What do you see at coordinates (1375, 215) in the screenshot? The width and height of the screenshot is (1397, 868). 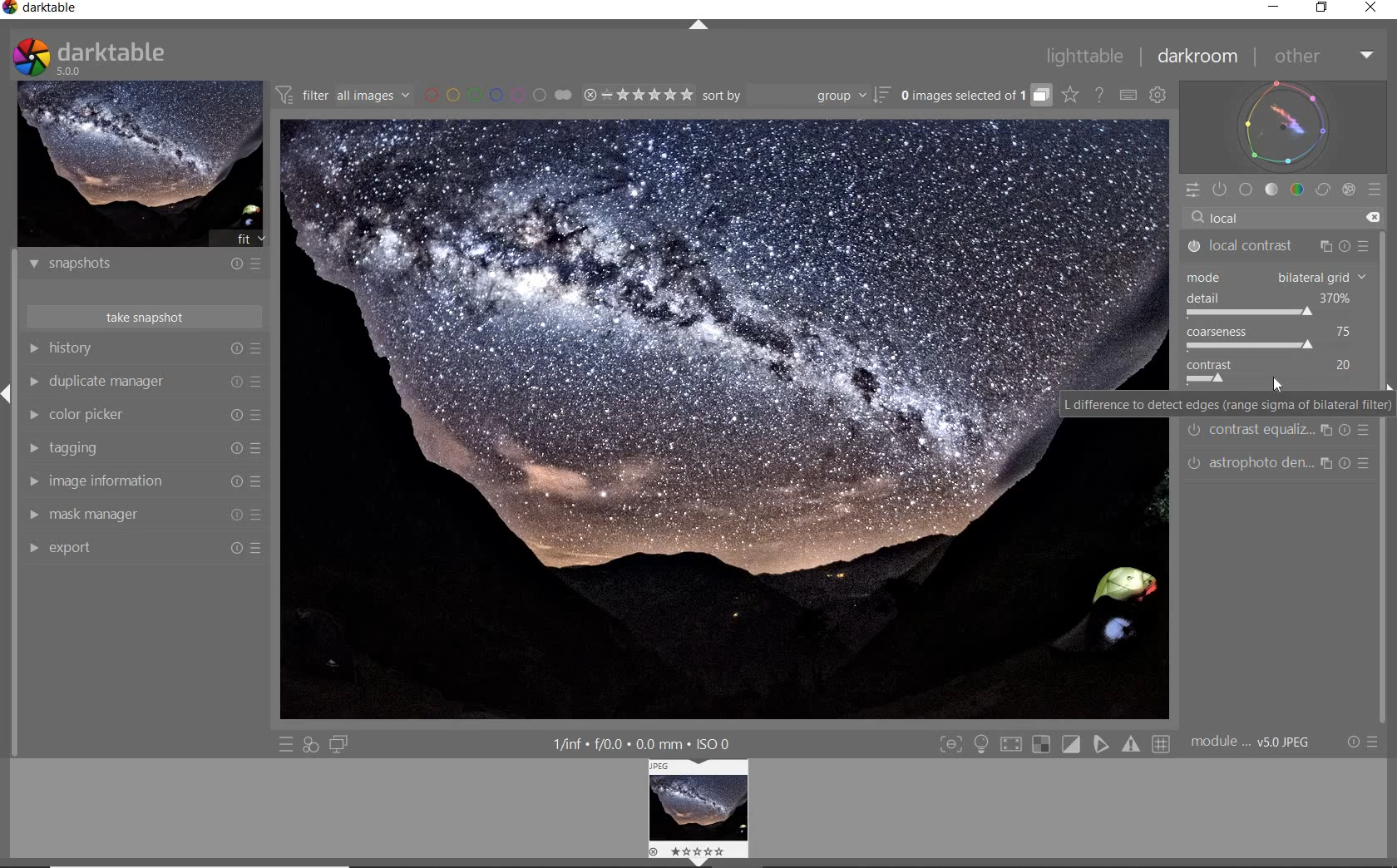 I see `clear` at bounding box center [1375, 215].